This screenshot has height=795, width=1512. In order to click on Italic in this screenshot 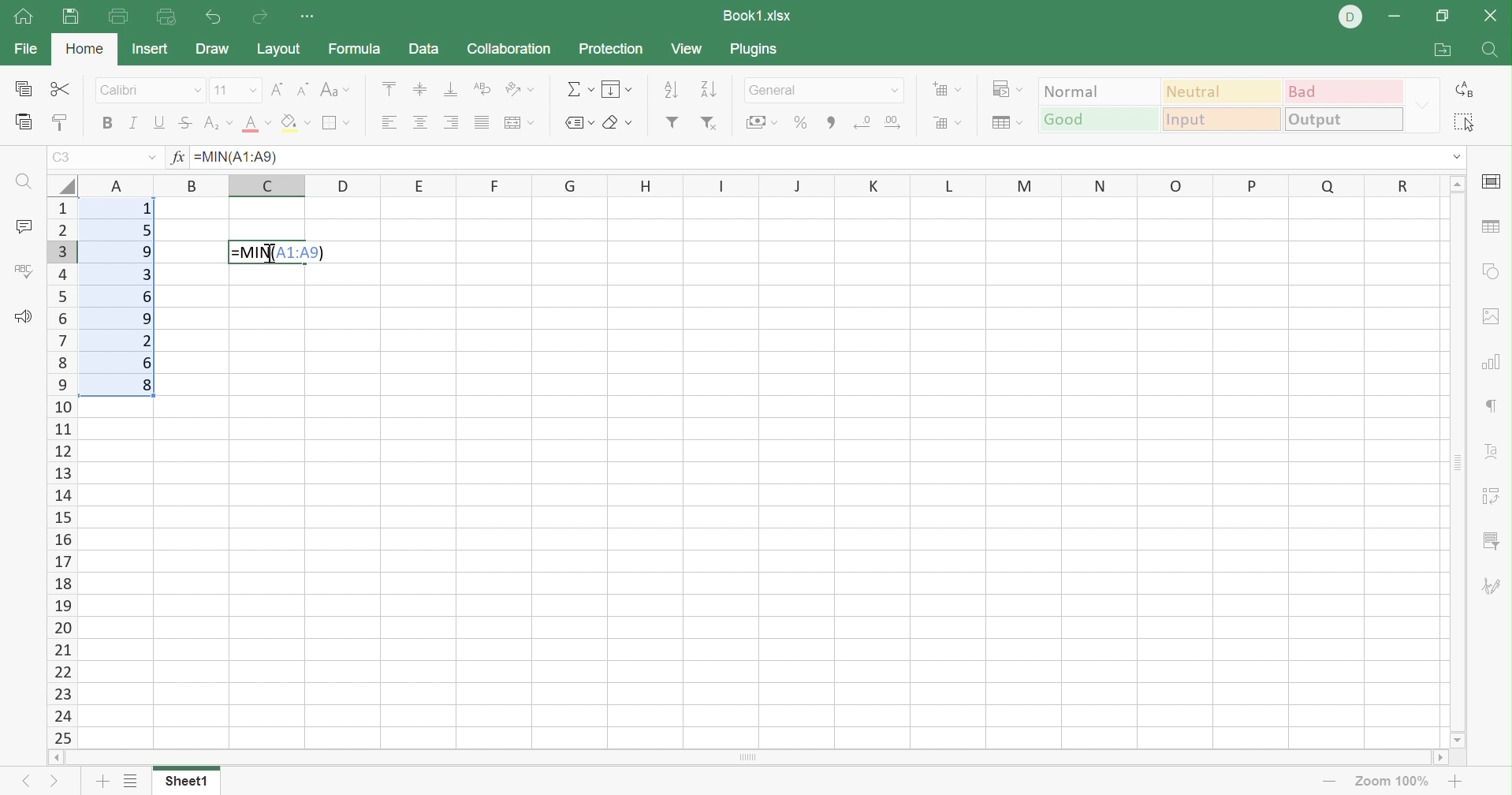, I will do `click(136, 121)`.